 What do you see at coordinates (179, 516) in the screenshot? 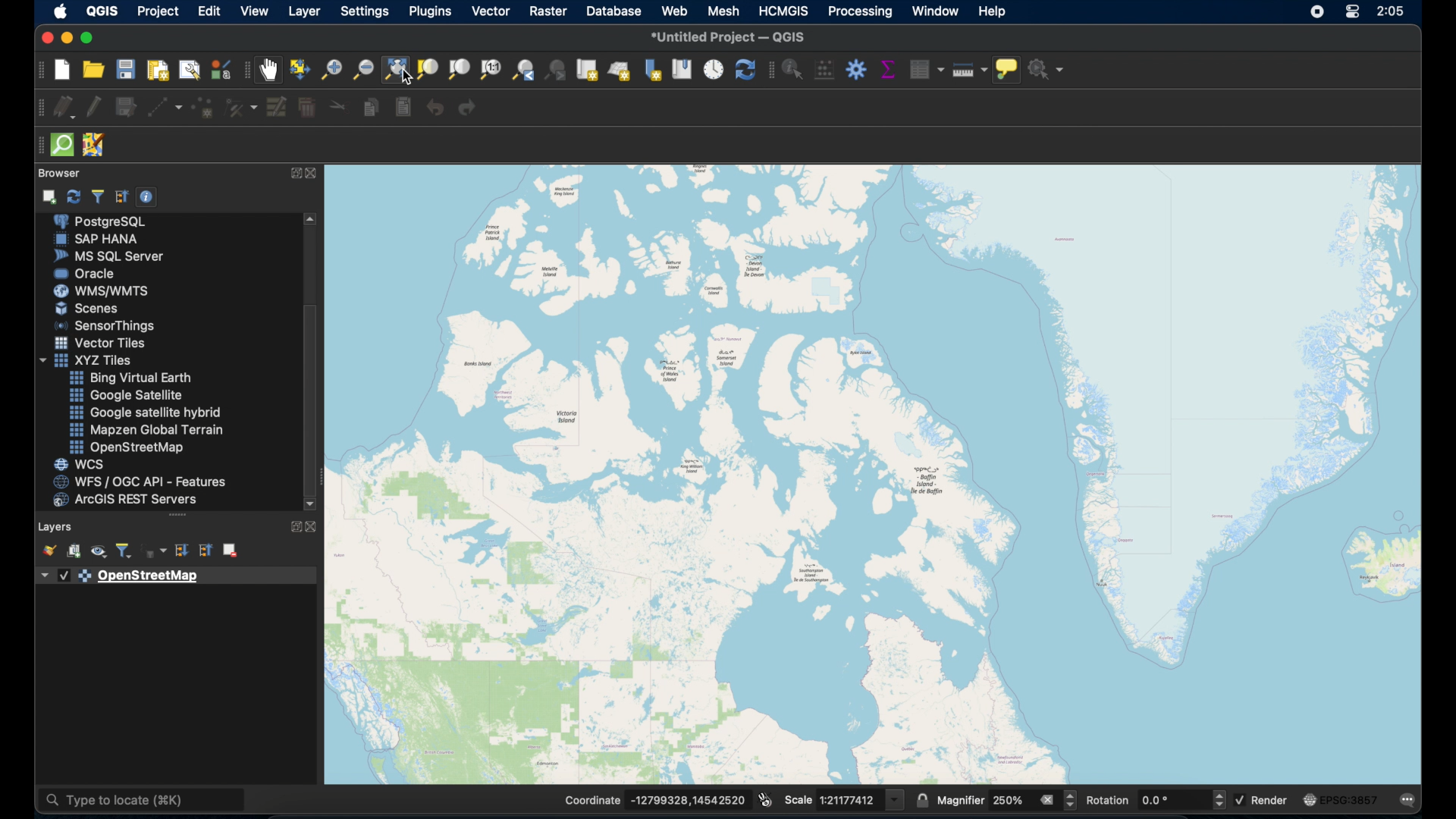
I see `drag handle` at bounding box center [179, 516].